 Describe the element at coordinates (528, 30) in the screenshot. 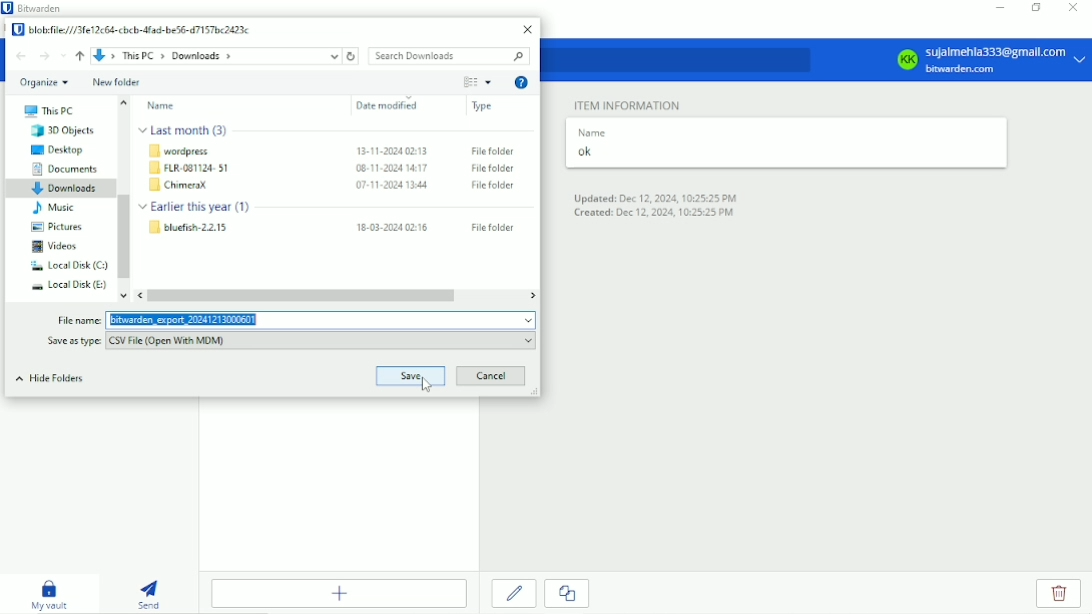

I see `Close` at that location.